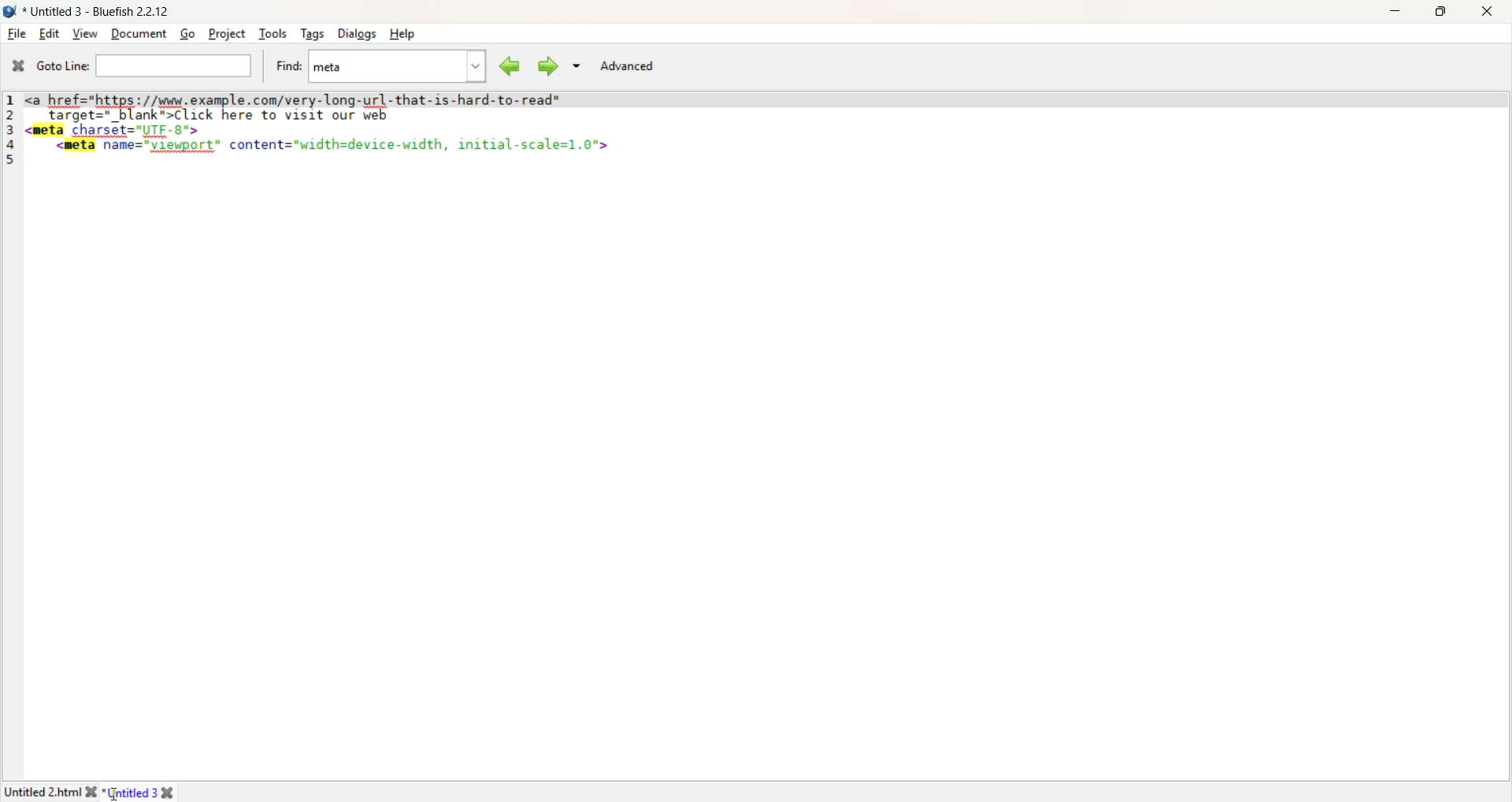 The height and width of the screenshot is (802, 1512). What do you see at coordinates (320, 122) in the screenshot?
I see `<a href=https://www.example.com/very-long-url-that-is-hard-to- read" target="_blank">Click here to visit our web <meta charset="UTF-8"><meta name="viewport" content="width=device-width, initial-scale=1.0">` at bounding box center [320, 122].